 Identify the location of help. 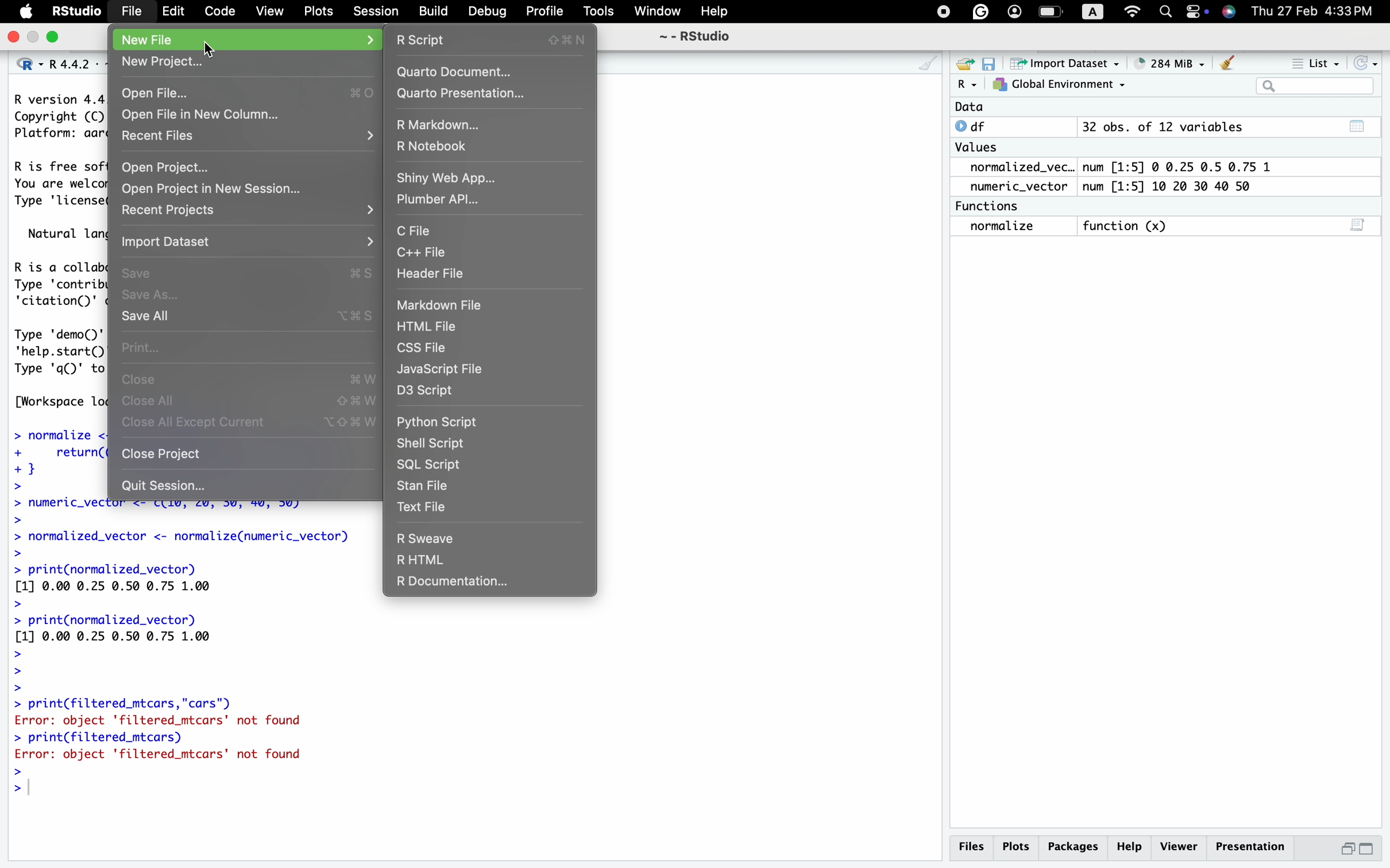
(1132, 846).